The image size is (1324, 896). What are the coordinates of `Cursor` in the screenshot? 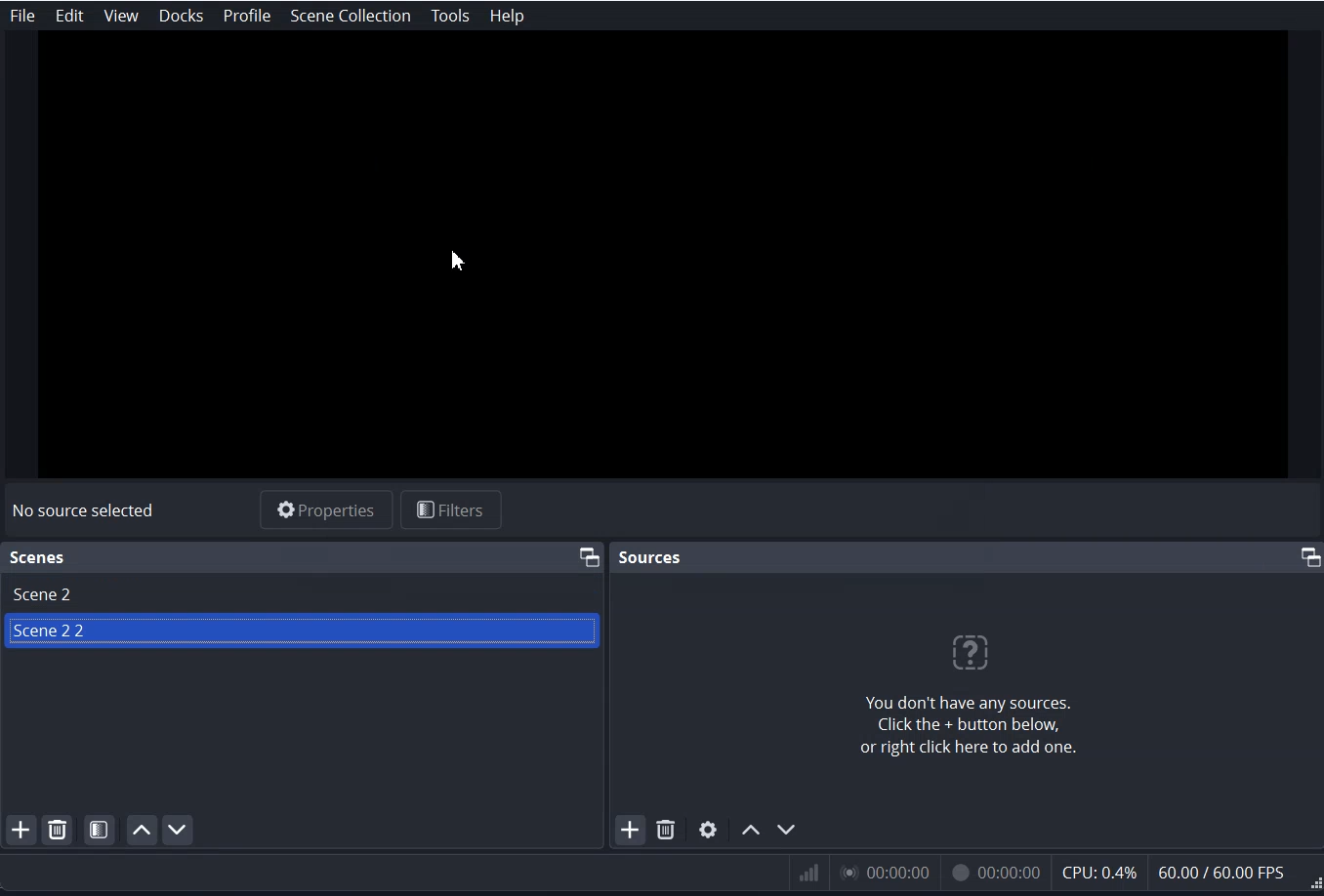 It's located at (459, 259).